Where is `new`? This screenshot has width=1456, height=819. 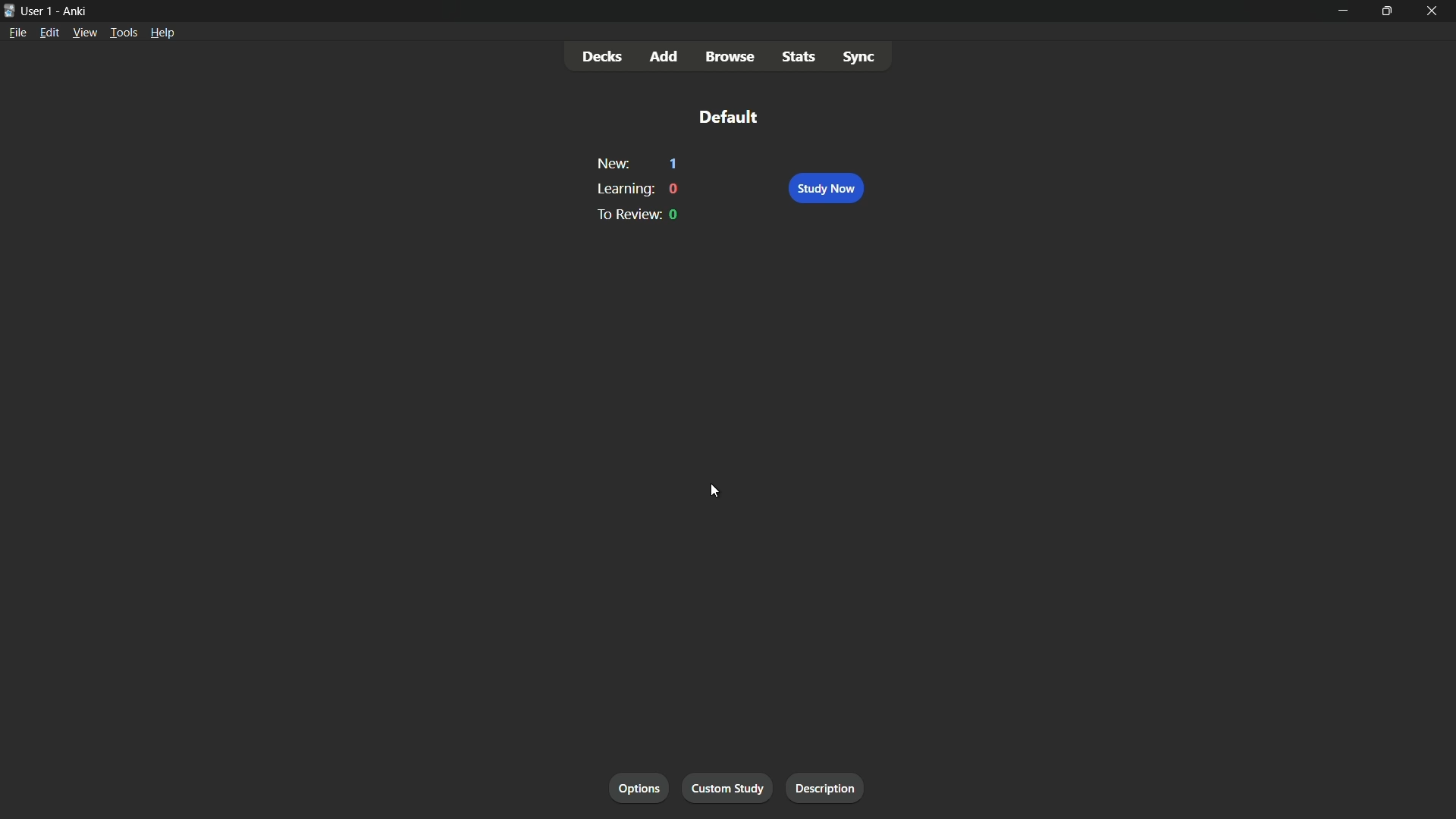
new is located at coordinates (614, 163).